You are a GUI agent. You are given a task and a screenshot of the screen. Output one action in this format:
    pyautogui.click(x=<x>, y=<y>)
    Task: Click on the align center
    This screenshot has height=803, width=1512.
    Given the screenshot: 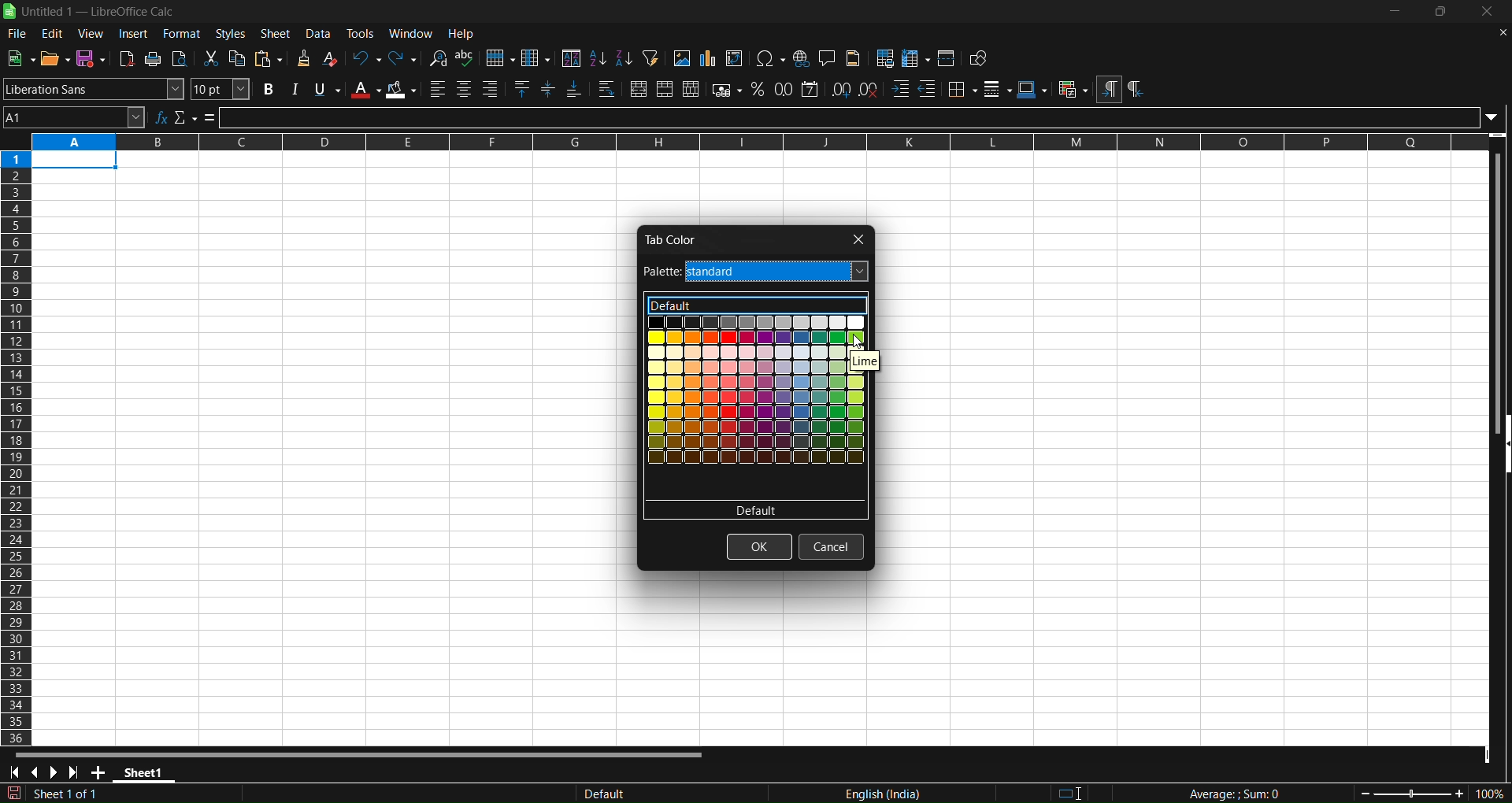 What is the action you would take?
    pyautogui.click(x=464, y=90)
    